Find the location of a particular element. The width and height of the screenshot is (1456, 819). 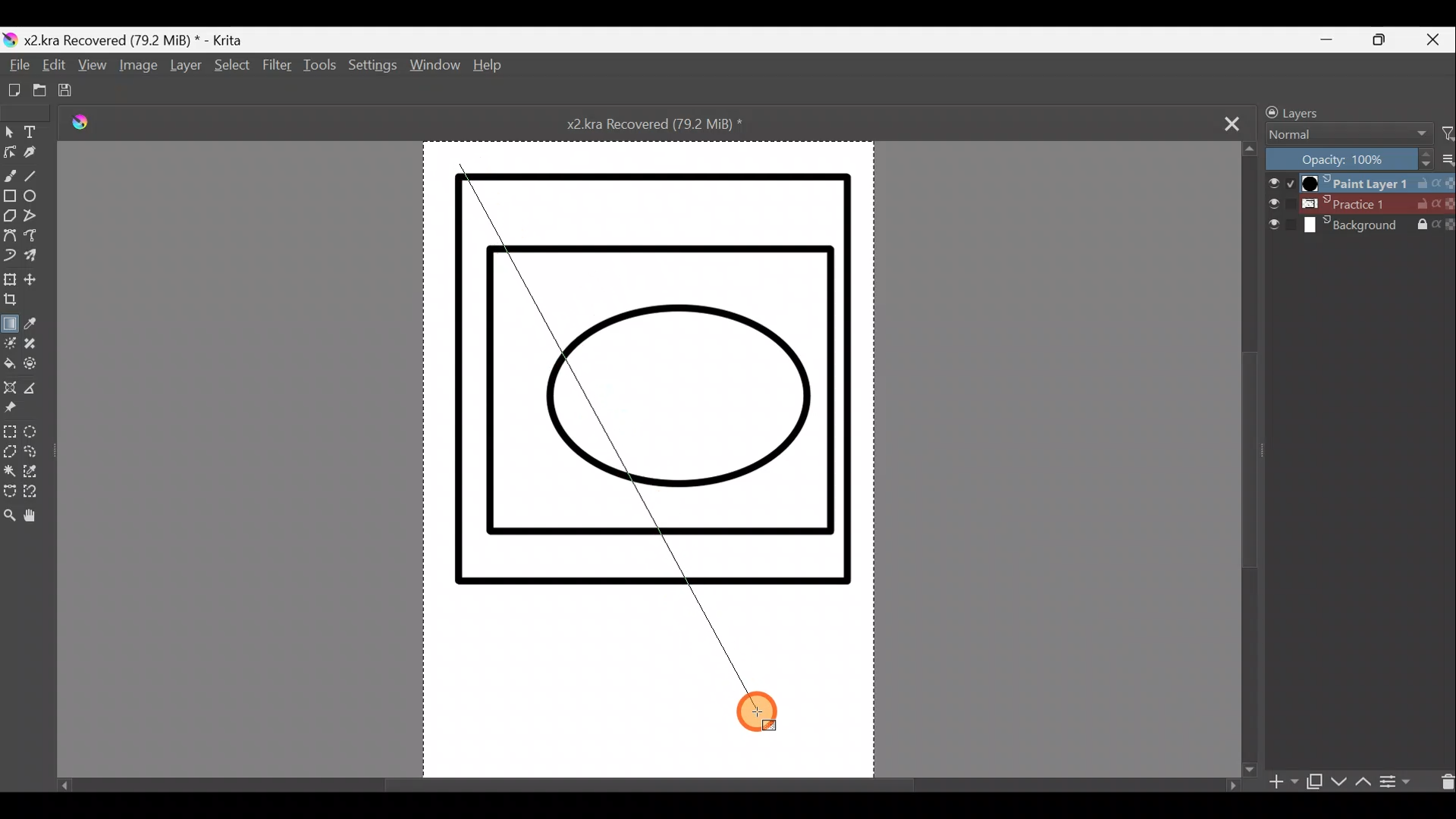

Layer 3 is located at coordinates (1360, 227).